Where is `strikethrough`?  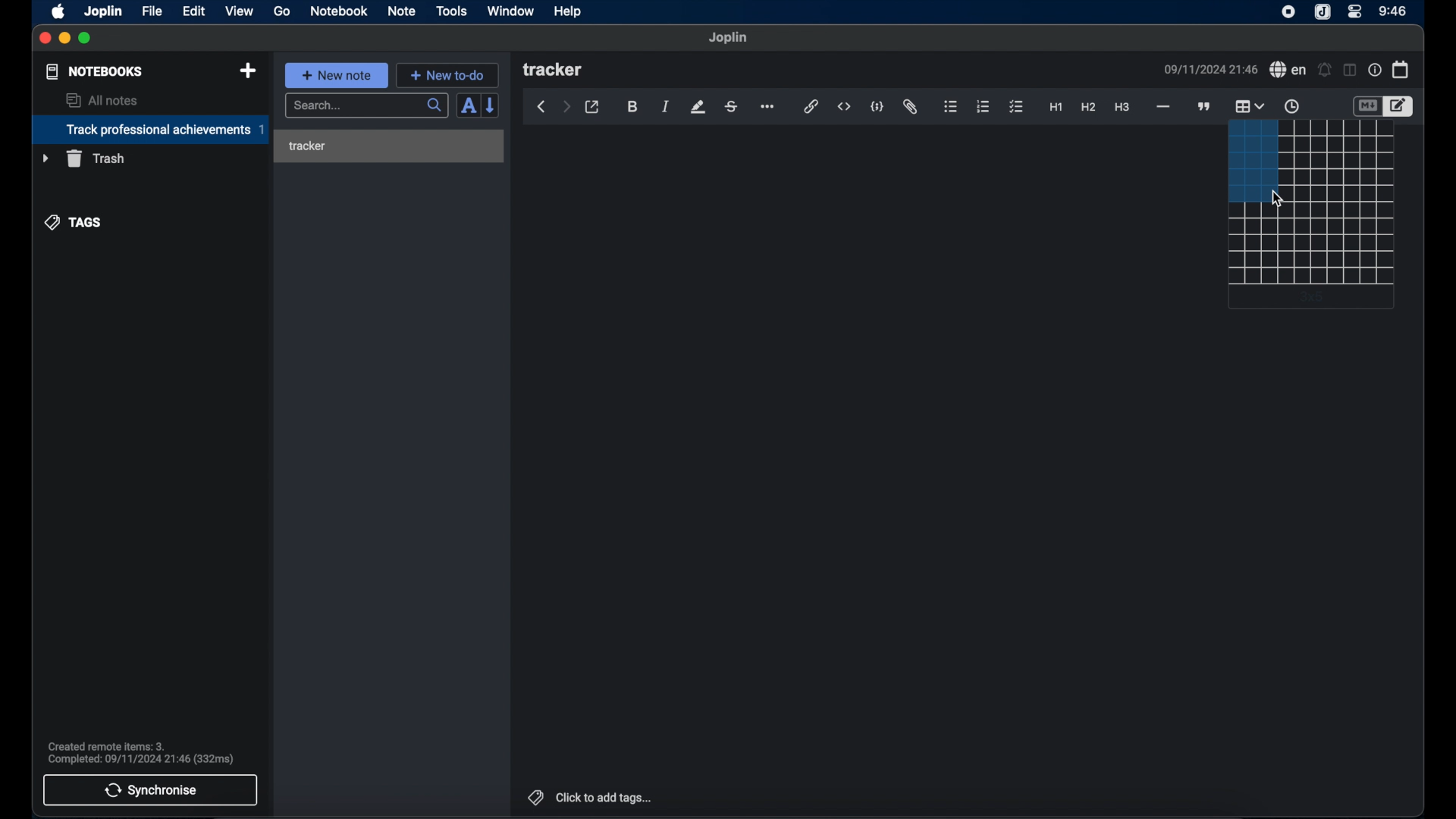 strikethrough is located at coordinates (732, 106).